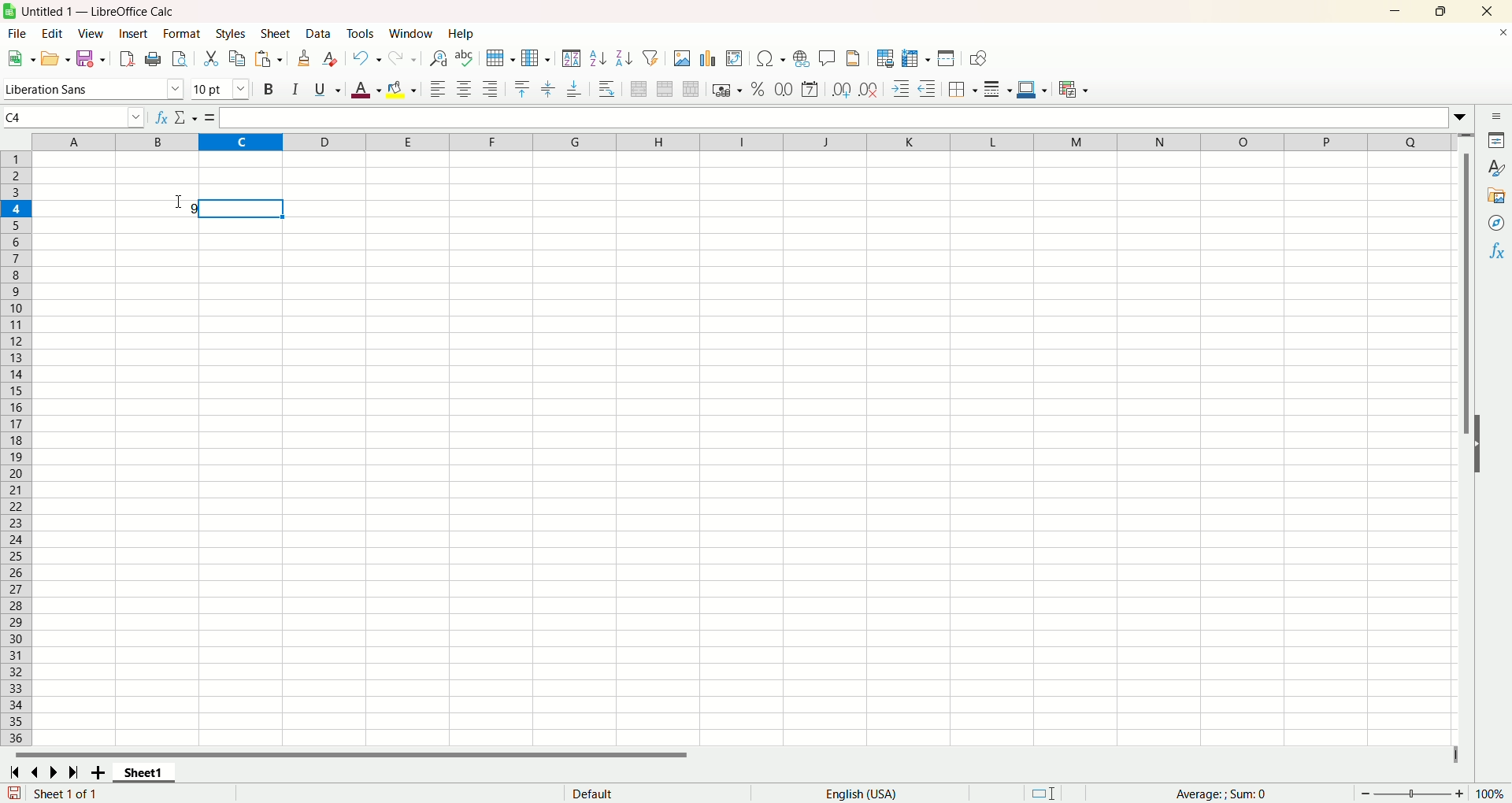 The height and width of the screenshot is (803, 1512). I want to click on print, so click(154, 59).